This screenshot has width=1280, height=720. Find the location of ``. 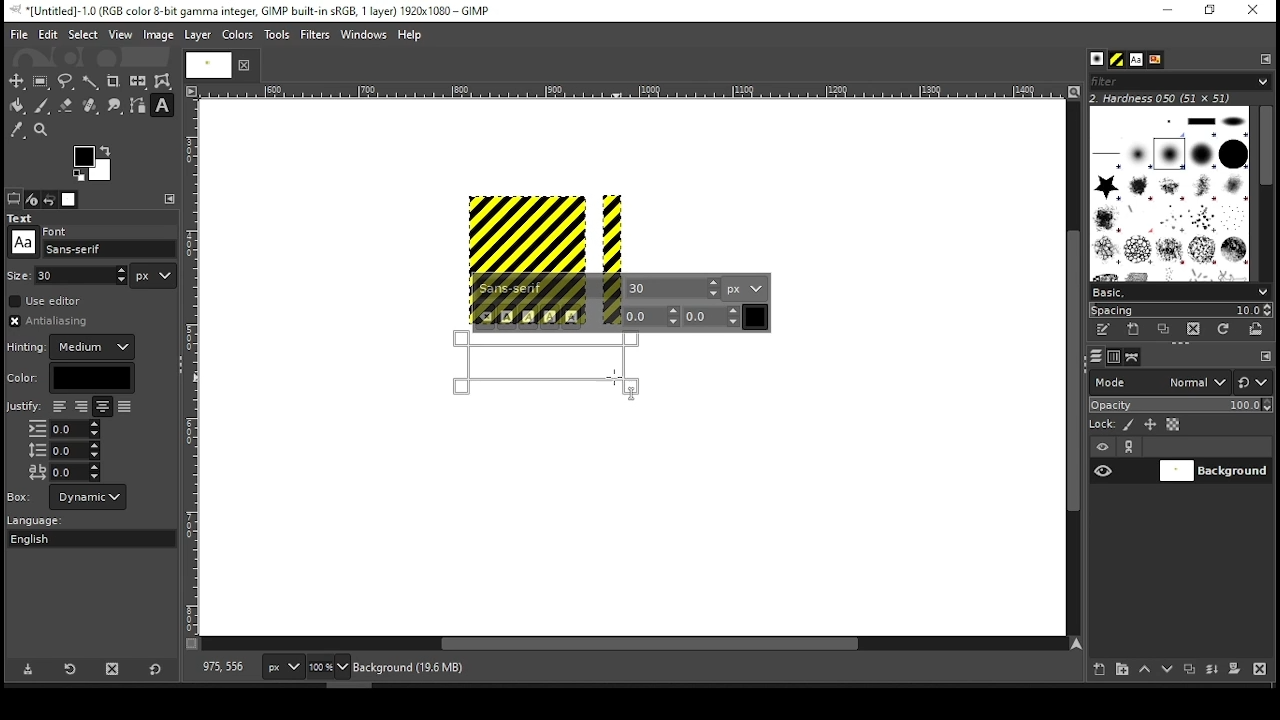

 is located at coordinates (23, 242).